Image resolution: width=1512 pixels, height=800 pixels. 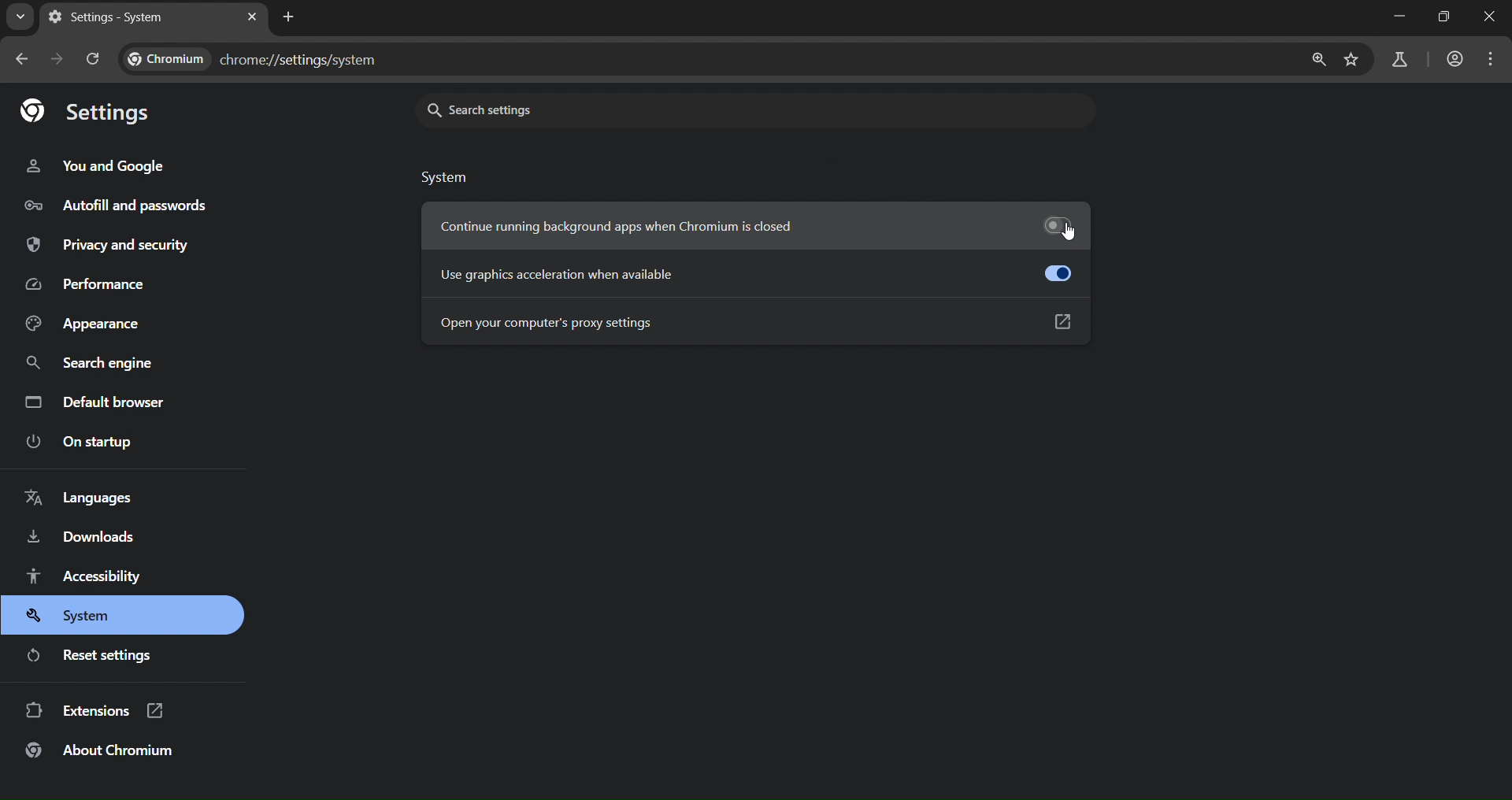 I want to click on cursor, so click(x=1074, y=235).